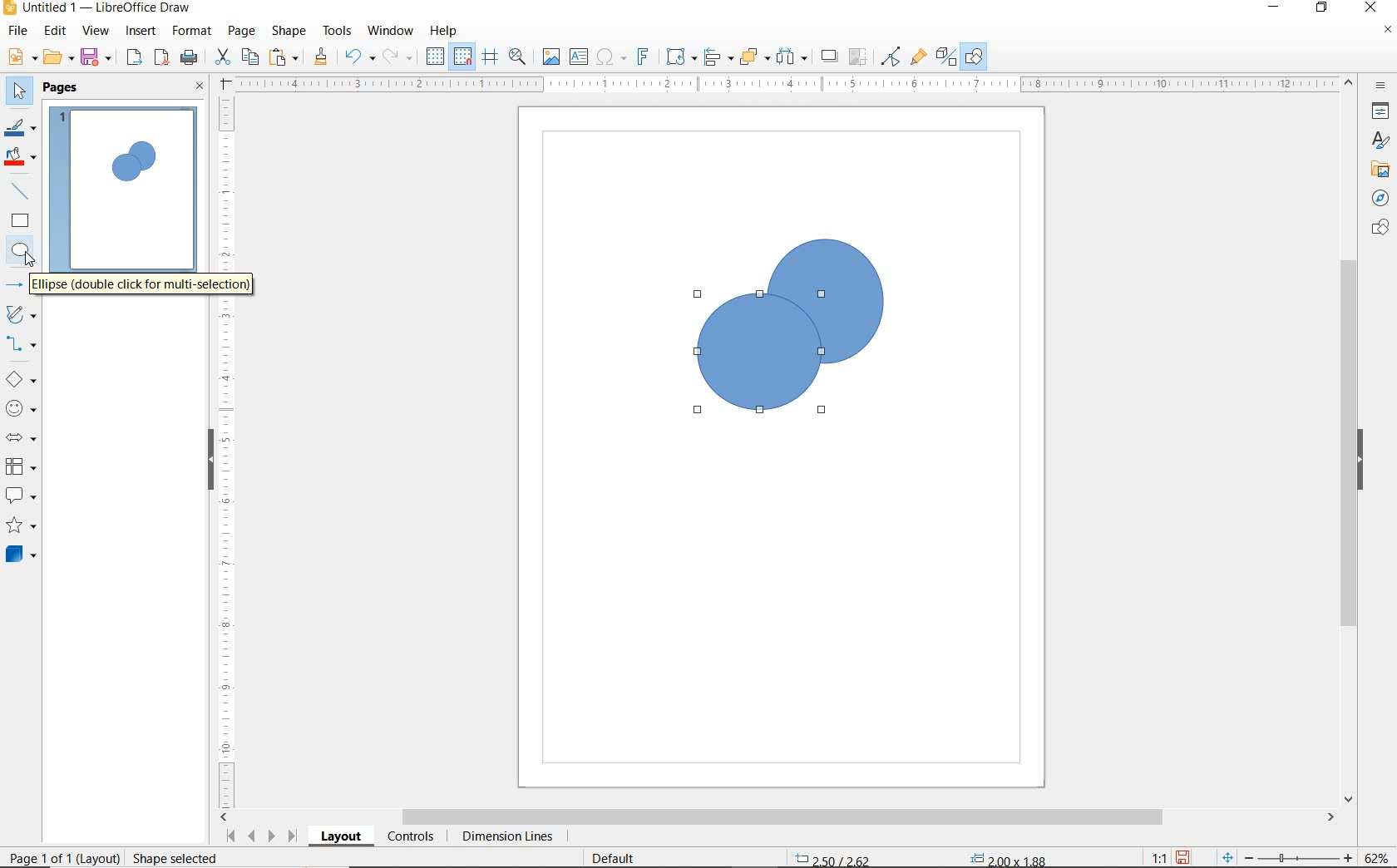 The width and height of the screenshot is (1397, 868). I want to click on CONNECTORS, so click(22, 344).